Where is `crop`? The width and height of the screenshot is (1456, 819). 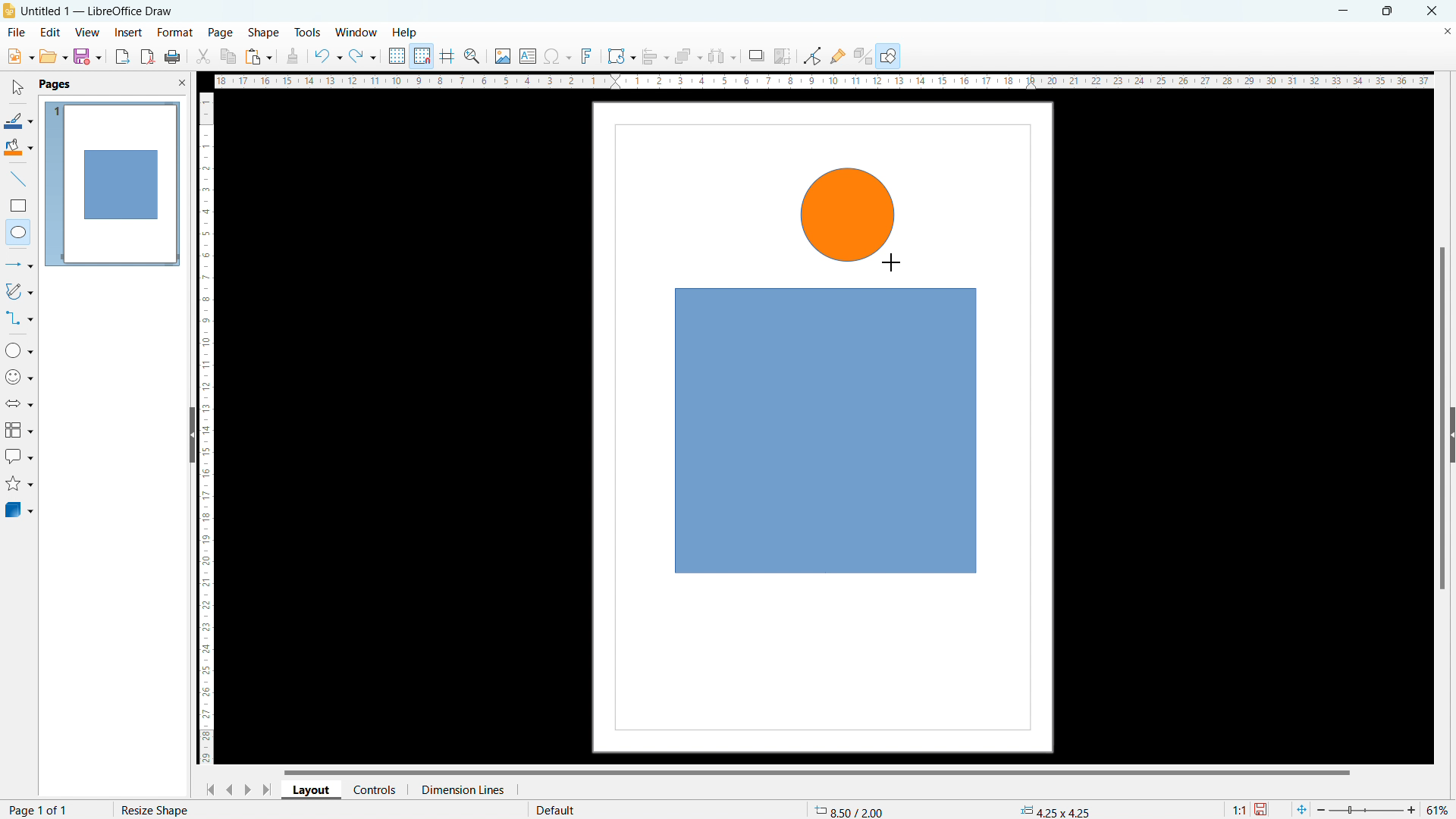 crop is located at coordinates (783, 56).